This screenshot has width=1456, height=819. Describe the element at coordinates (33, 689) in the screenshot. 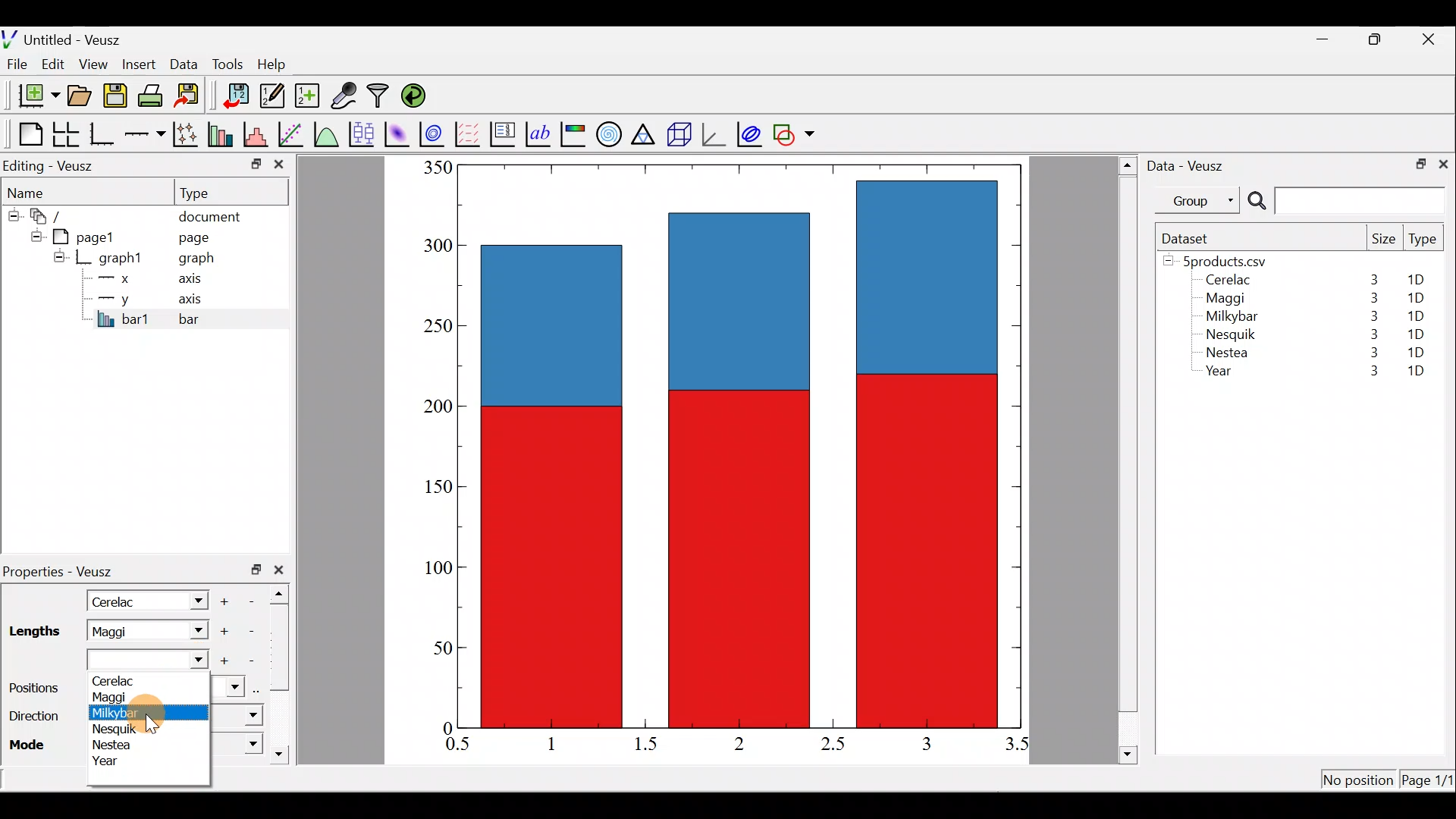

I see `Positions` at that location.